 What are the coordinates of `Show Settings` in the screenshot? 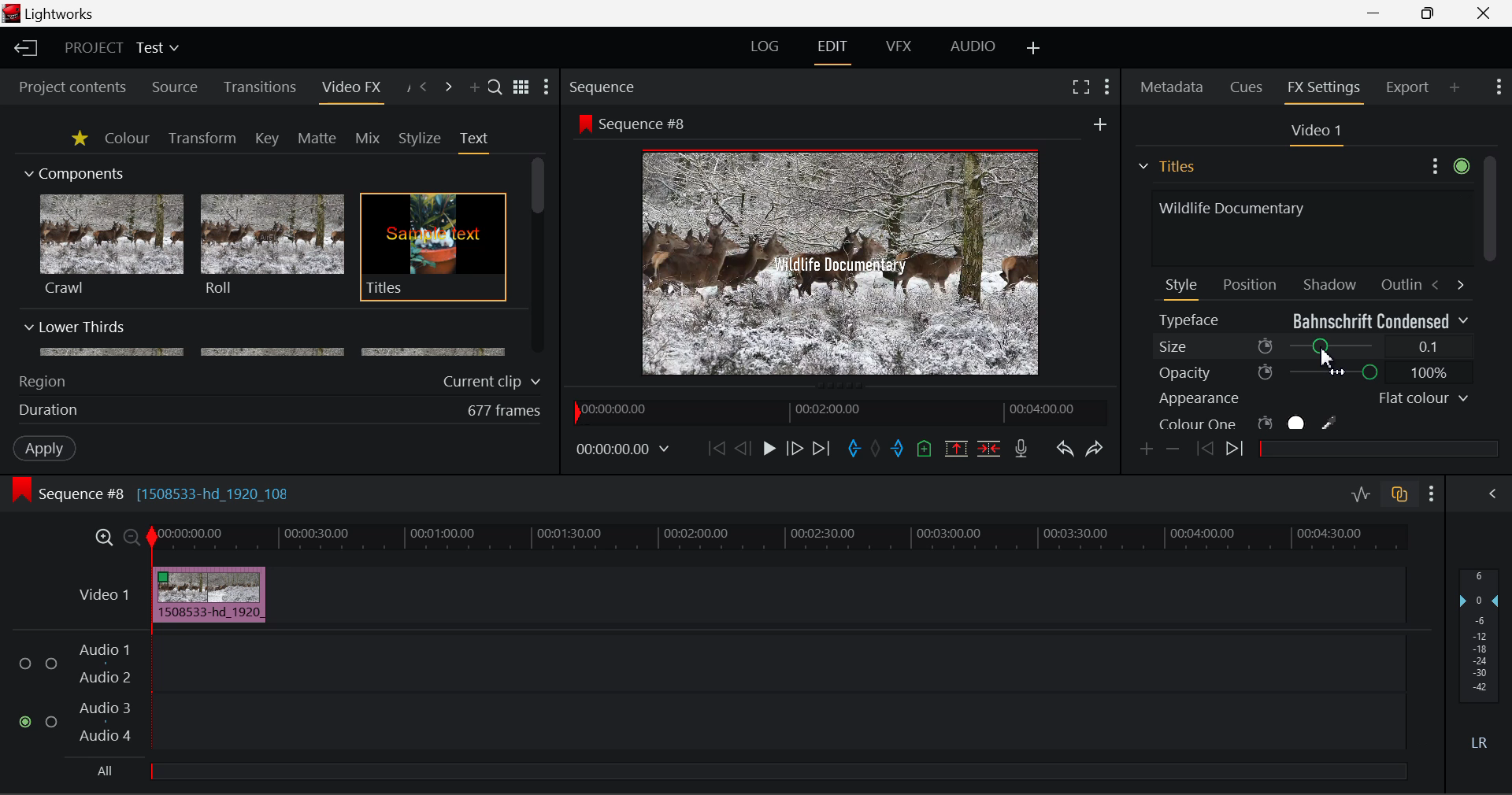 It's located at (1432, 494).